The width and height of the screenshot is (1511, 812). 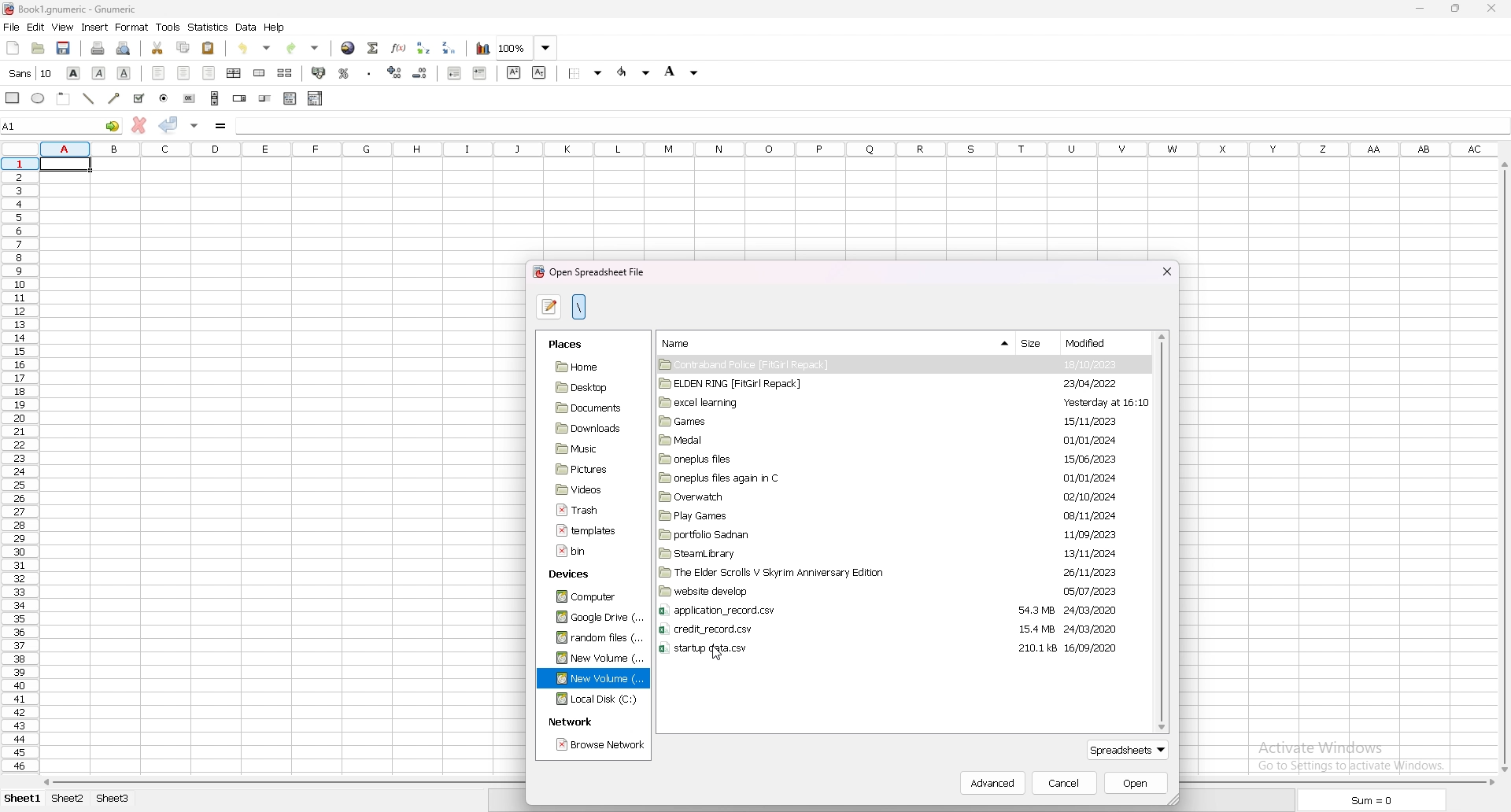 What do you see at coordinates (13, 46) in the screenshot?
I see `new` at bounding box center [13, 46].